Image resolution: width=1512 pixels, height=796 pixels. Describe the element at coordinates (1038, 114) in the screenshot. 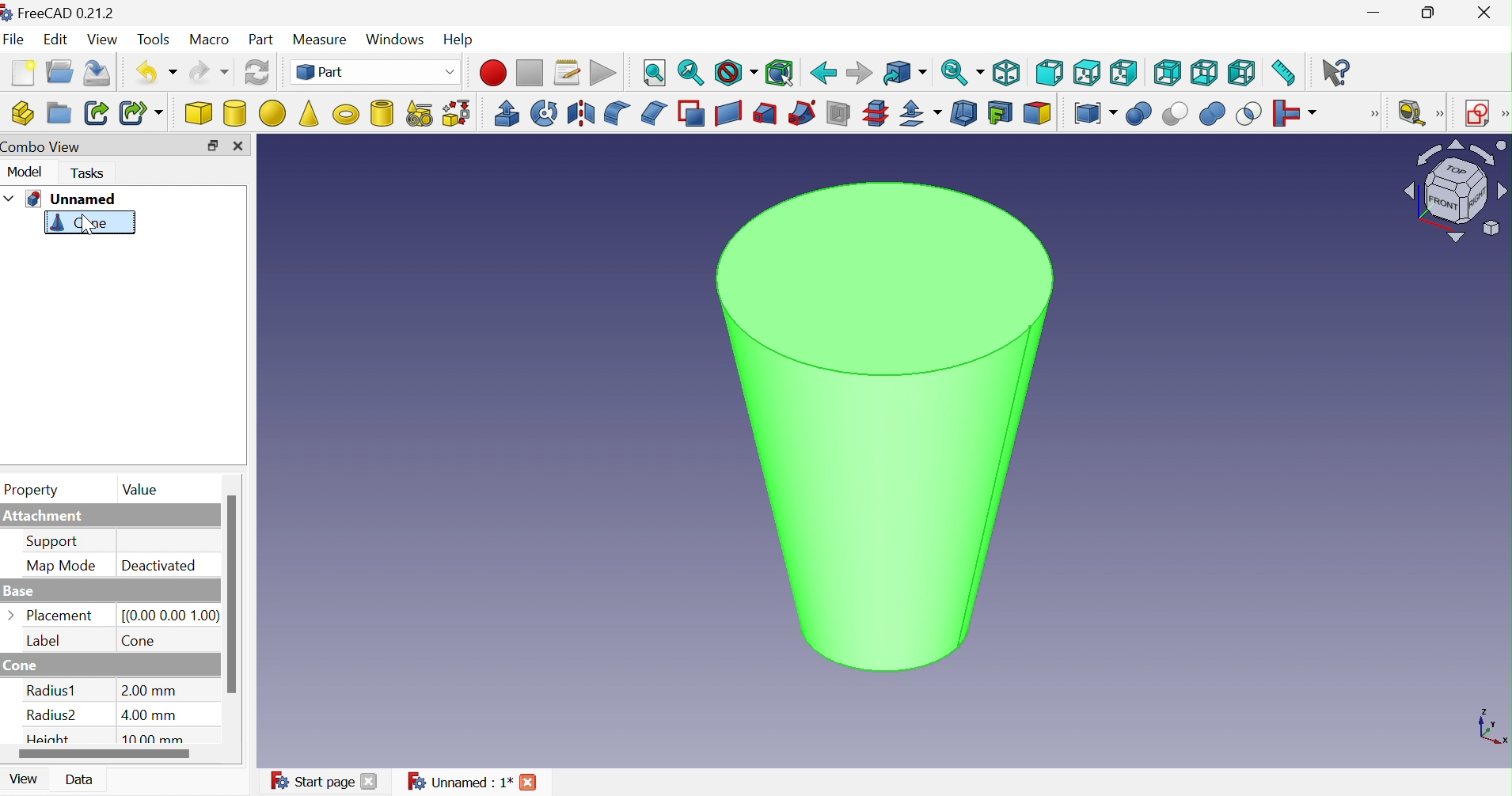

I see `Color per face` at that location.